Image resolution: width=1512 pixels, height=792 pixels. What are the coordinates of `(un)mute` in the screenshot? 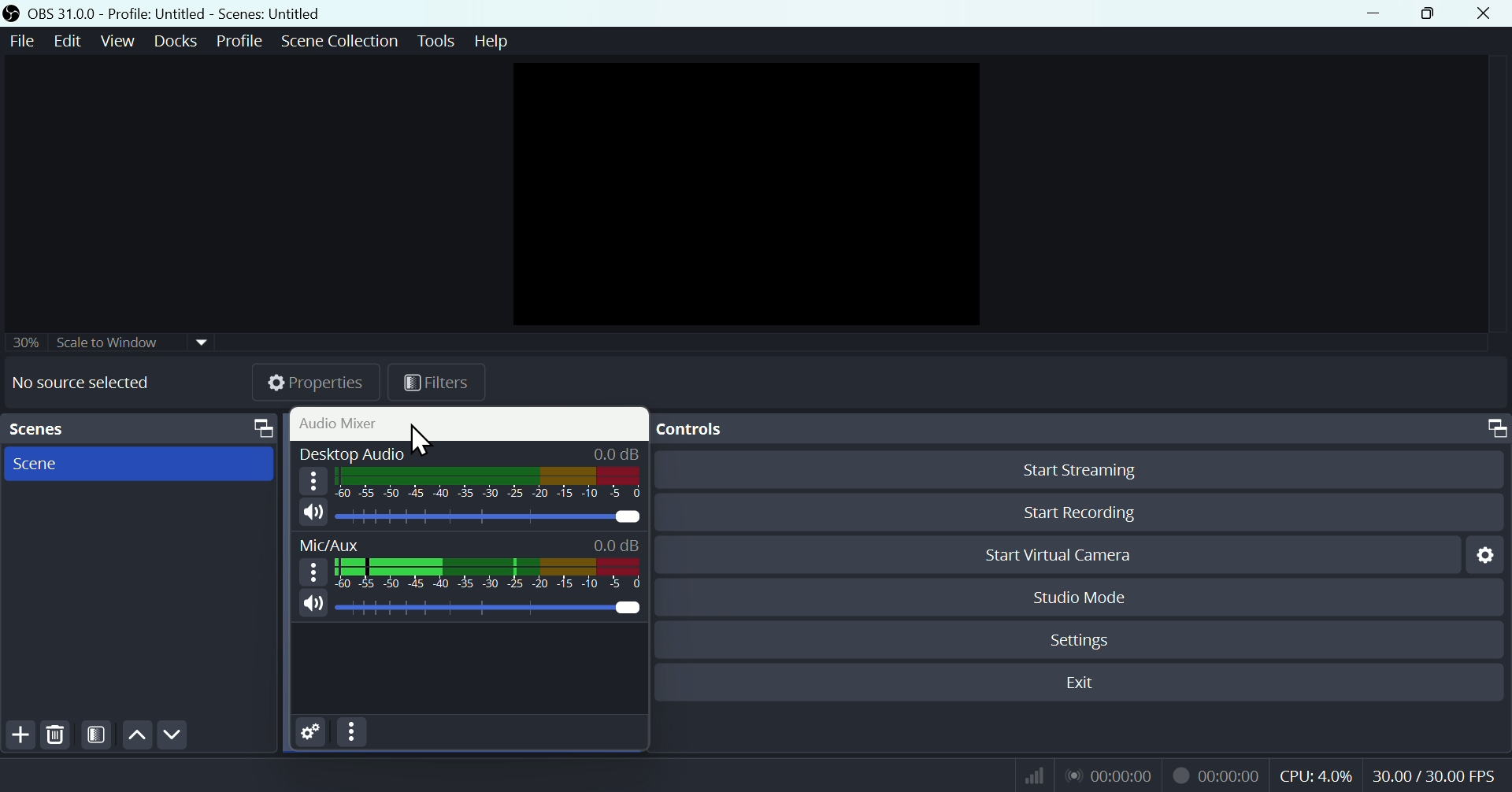 It's located at (312, 603).